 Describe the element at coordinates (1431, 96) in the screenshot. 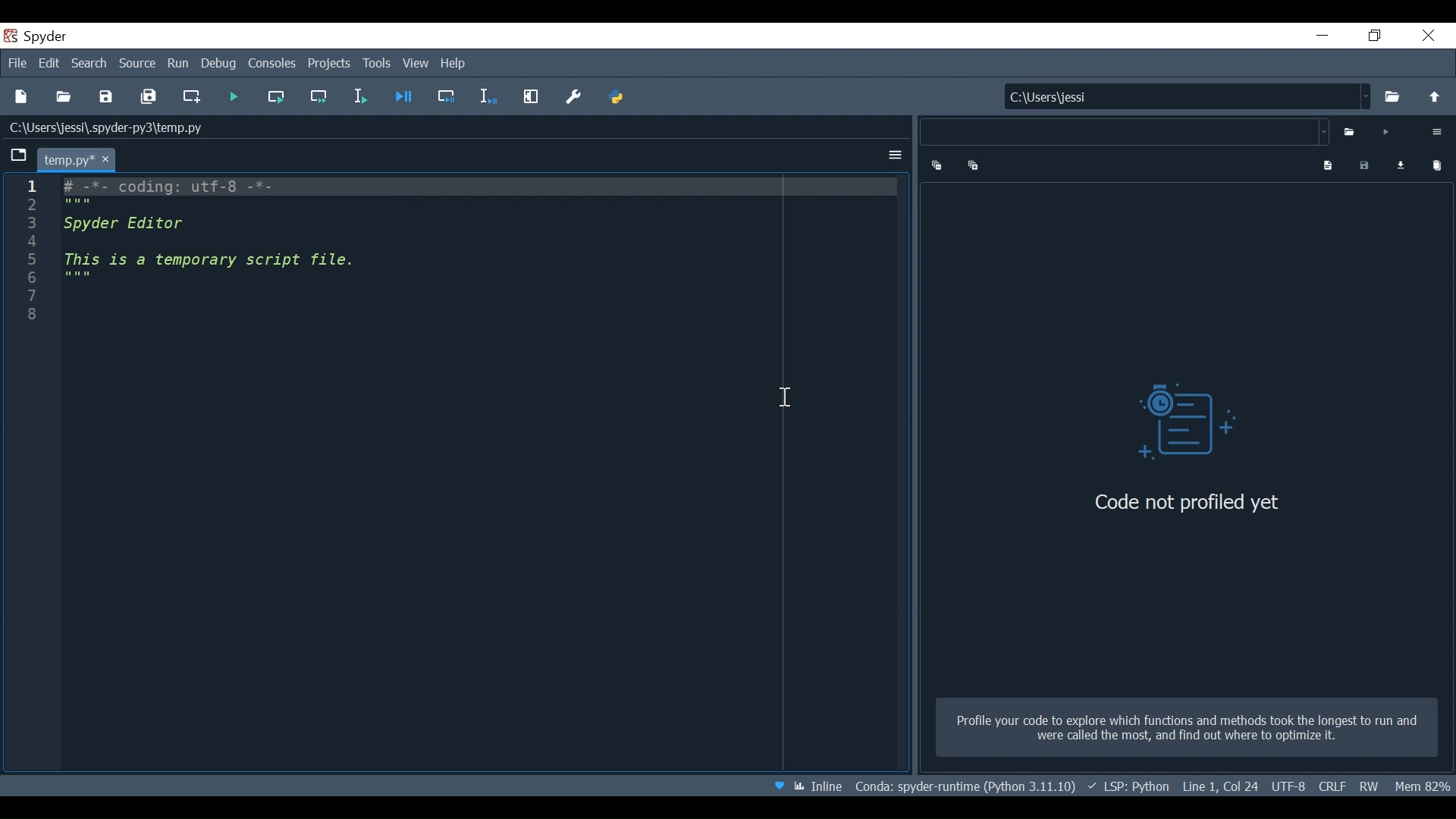

I see `move up` at that location.